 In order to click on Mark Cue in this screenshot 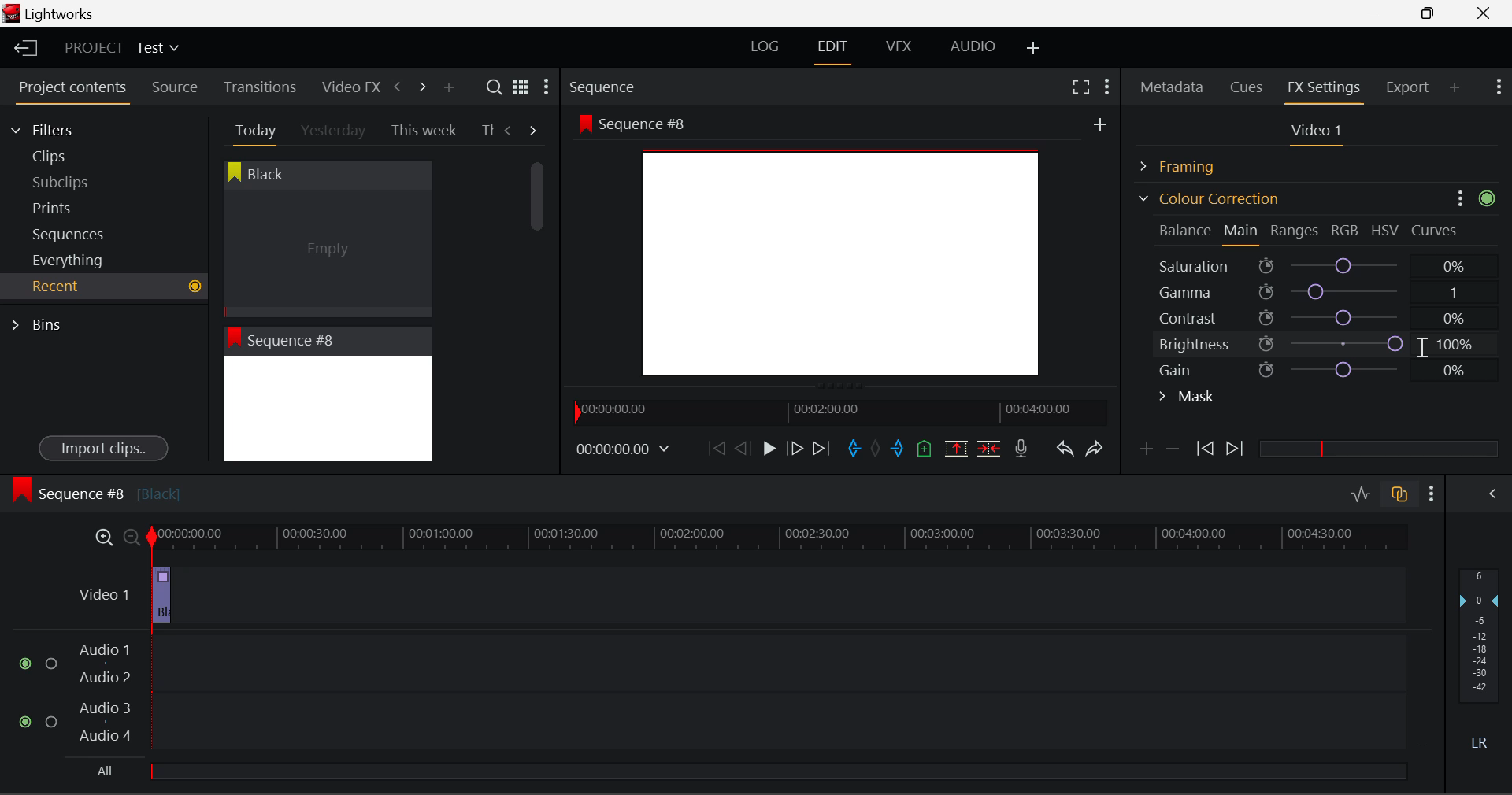, I will do `click(923, 449)`.